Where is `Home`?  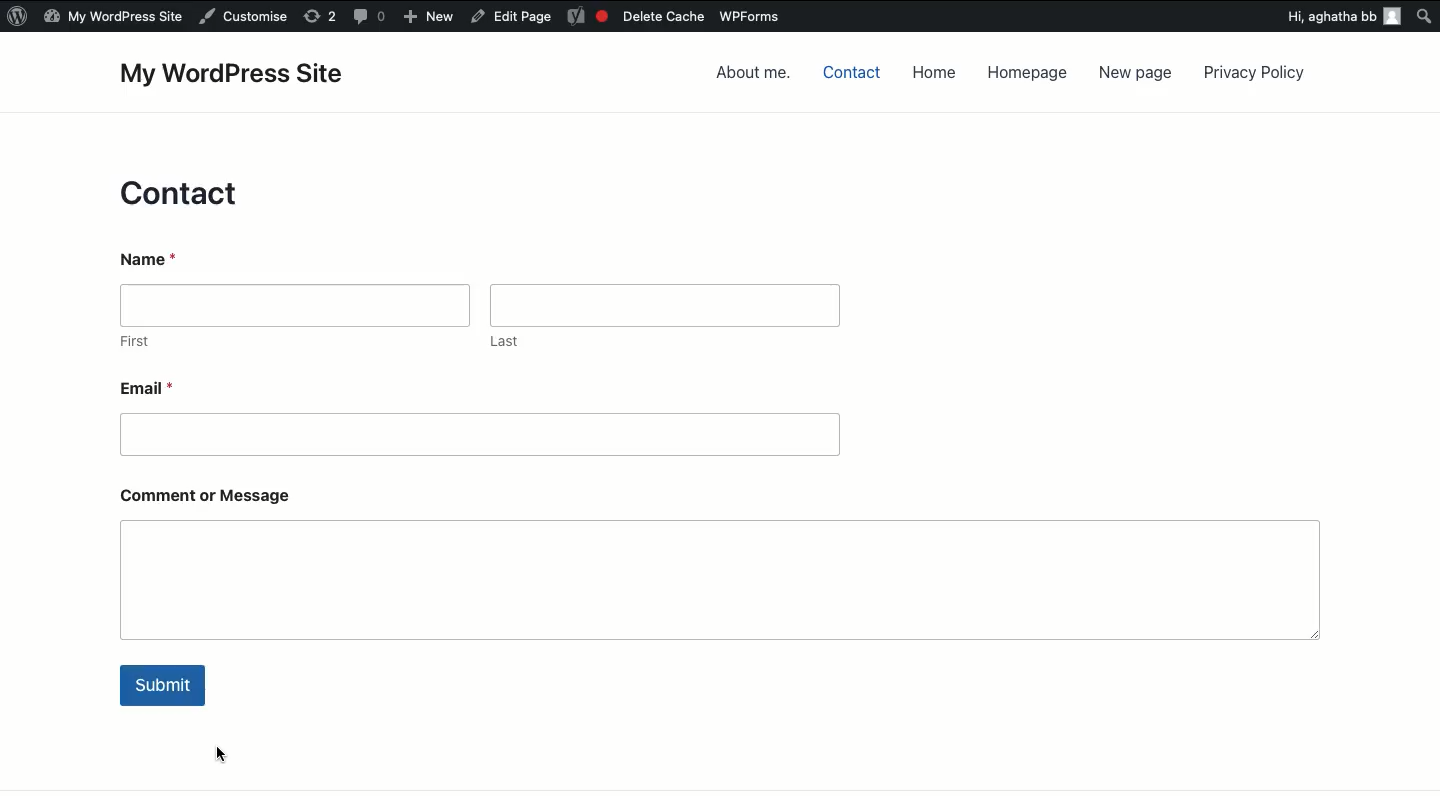
Home is located at coordinates (939, 74).